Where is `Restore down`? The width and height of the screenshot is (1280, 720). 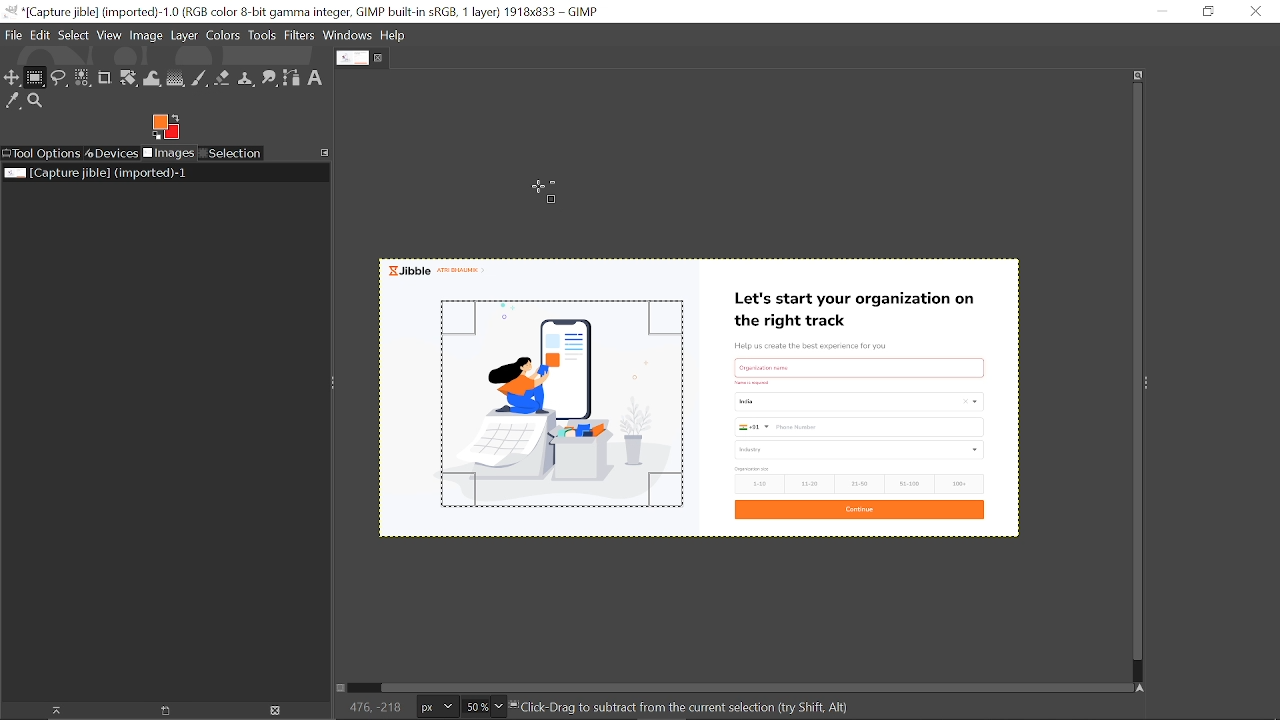
Restore down is located at coordinates (1202, 12).